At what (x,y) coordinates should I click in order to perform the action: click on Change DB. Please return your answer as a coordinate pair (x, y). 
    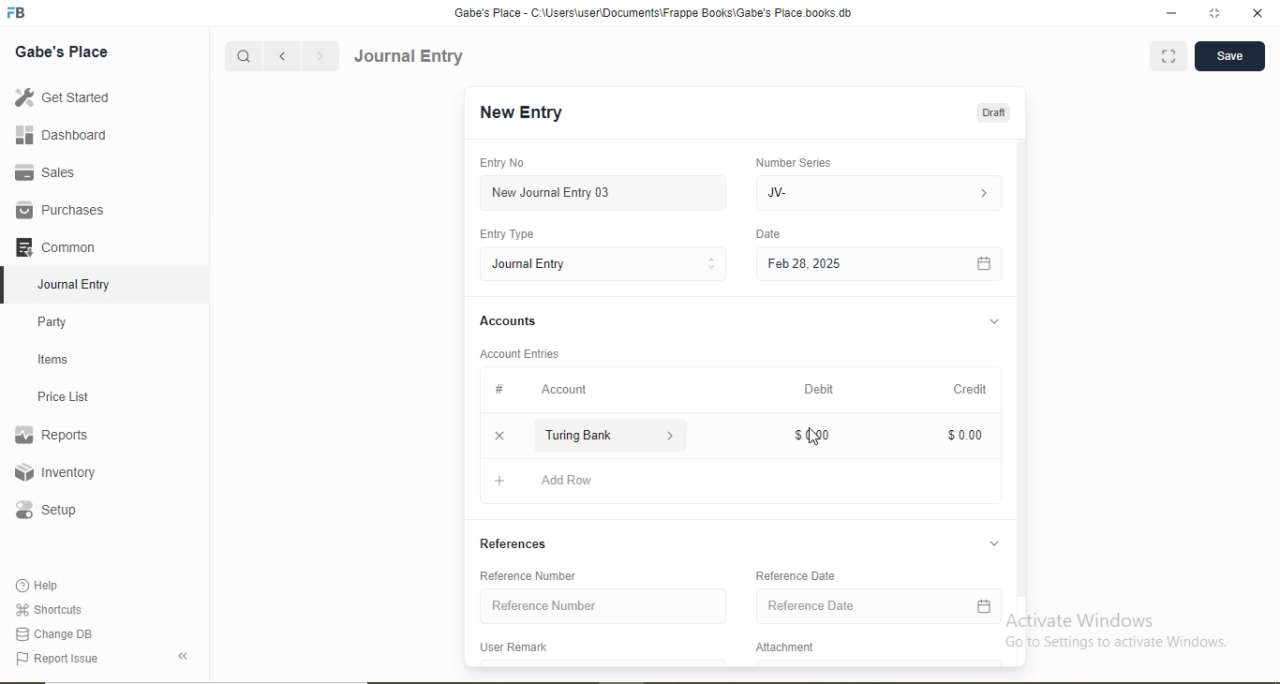
    Looking at the image, I should click on (52, 635).